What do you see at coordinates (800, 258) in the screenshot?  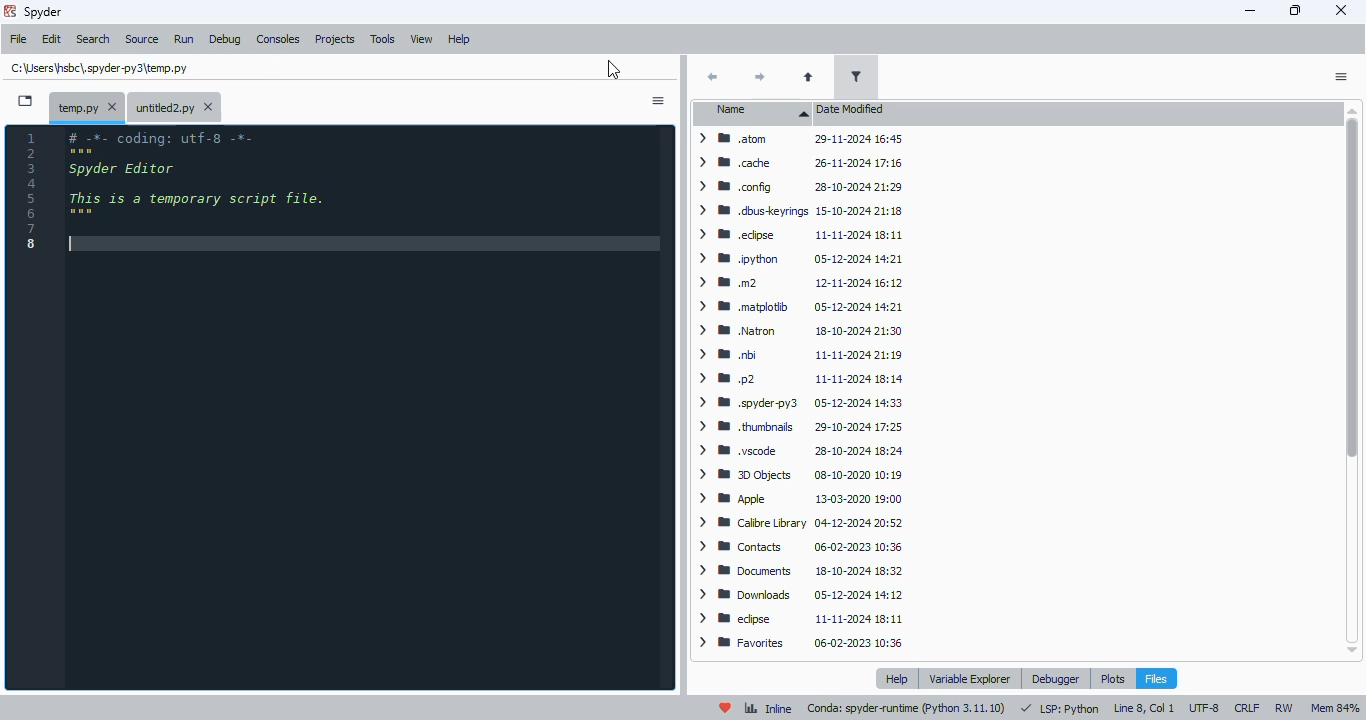 I see `> WM python 05-12-2024 14:21` at bounding box center [800, 258].